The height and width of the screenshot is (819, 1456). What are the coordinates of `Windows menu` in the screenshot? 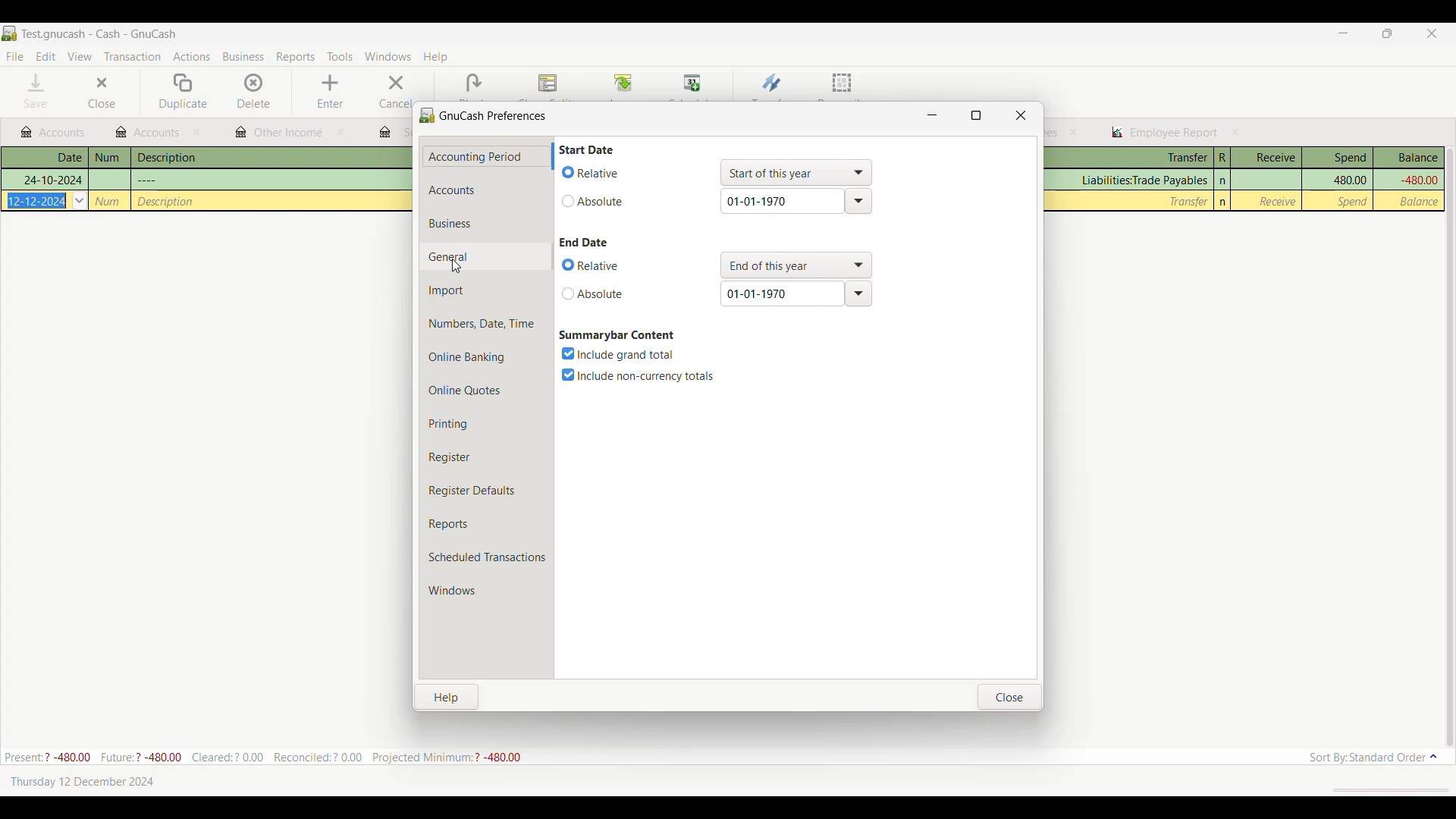 It's located at (388, 56).